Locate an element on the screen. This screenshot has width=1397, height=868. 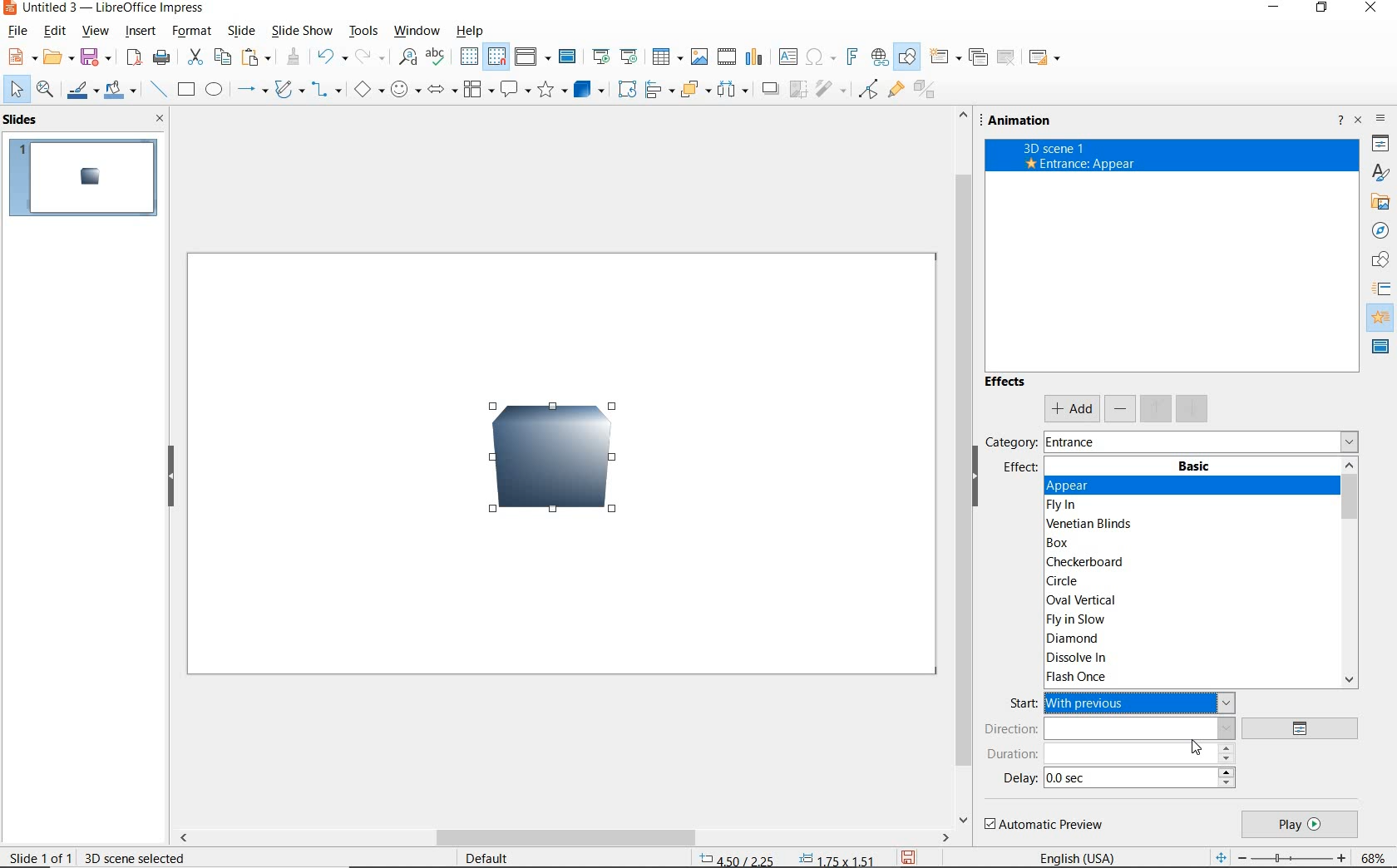
options is located at coordinates (1306, 729).